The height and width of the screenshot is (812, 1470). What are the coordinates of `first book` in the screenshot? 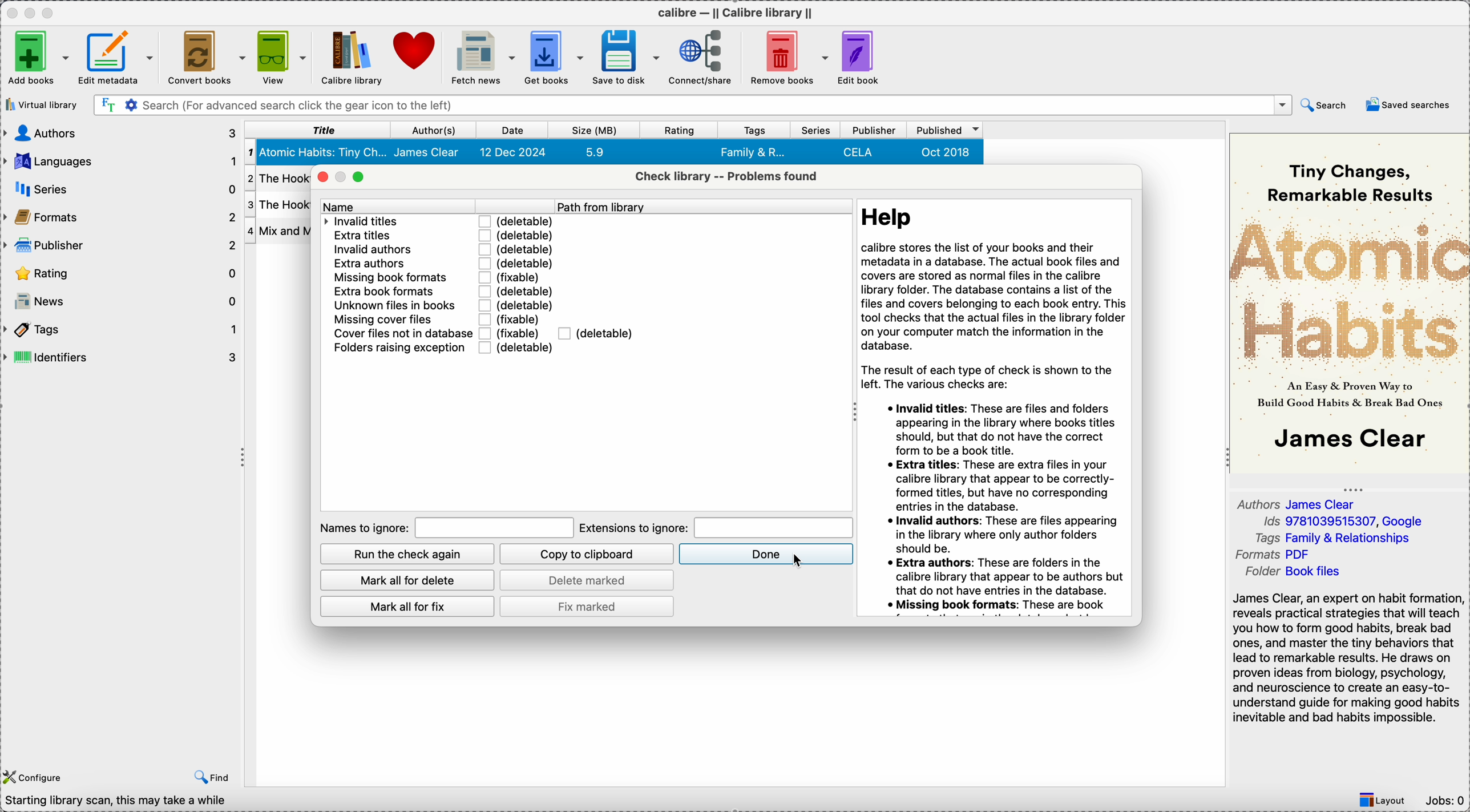 It's located at (613, 153).